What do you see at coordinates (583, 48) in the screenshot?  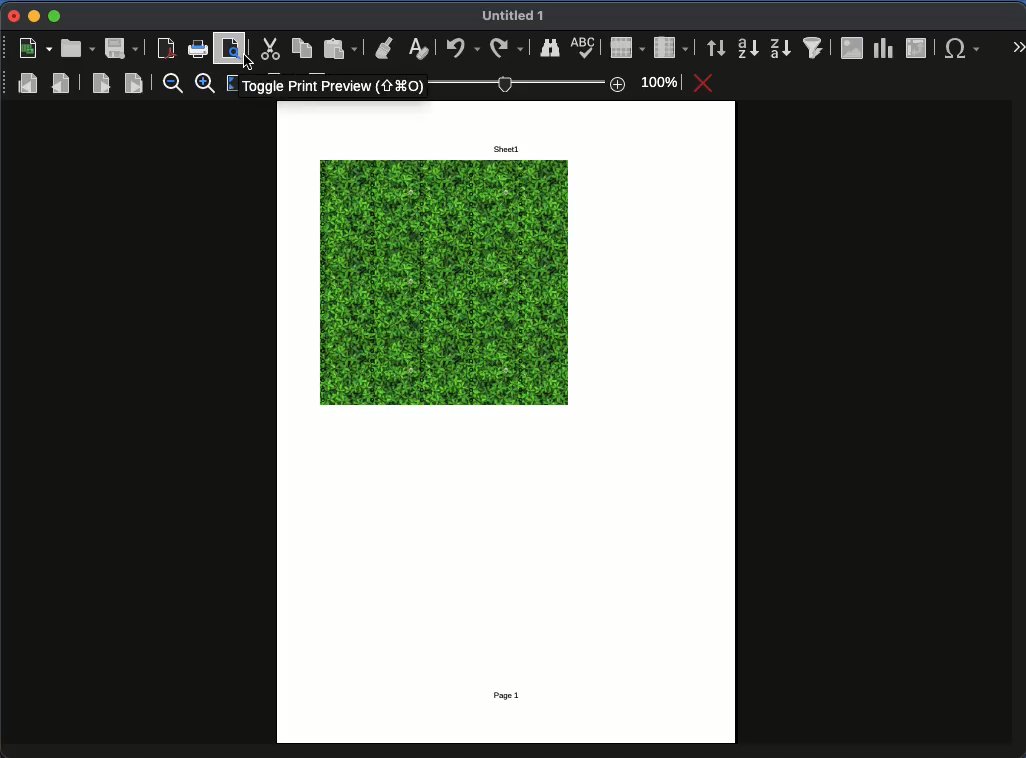 I see `spell check` at bounding box center [583, 48].